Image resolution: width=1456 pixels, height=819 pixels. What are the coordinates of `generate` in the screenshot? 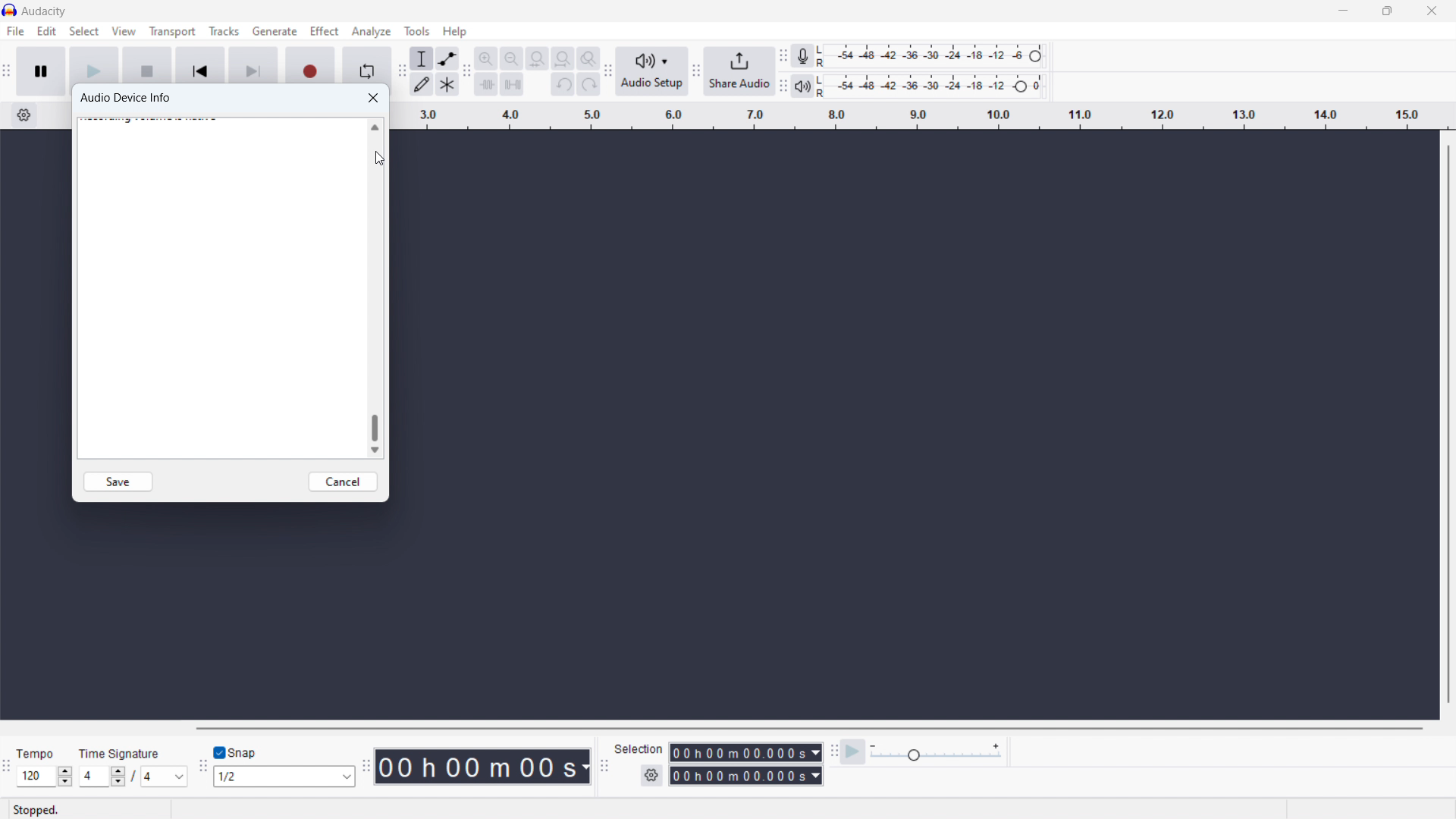 It's located at (275, 31).